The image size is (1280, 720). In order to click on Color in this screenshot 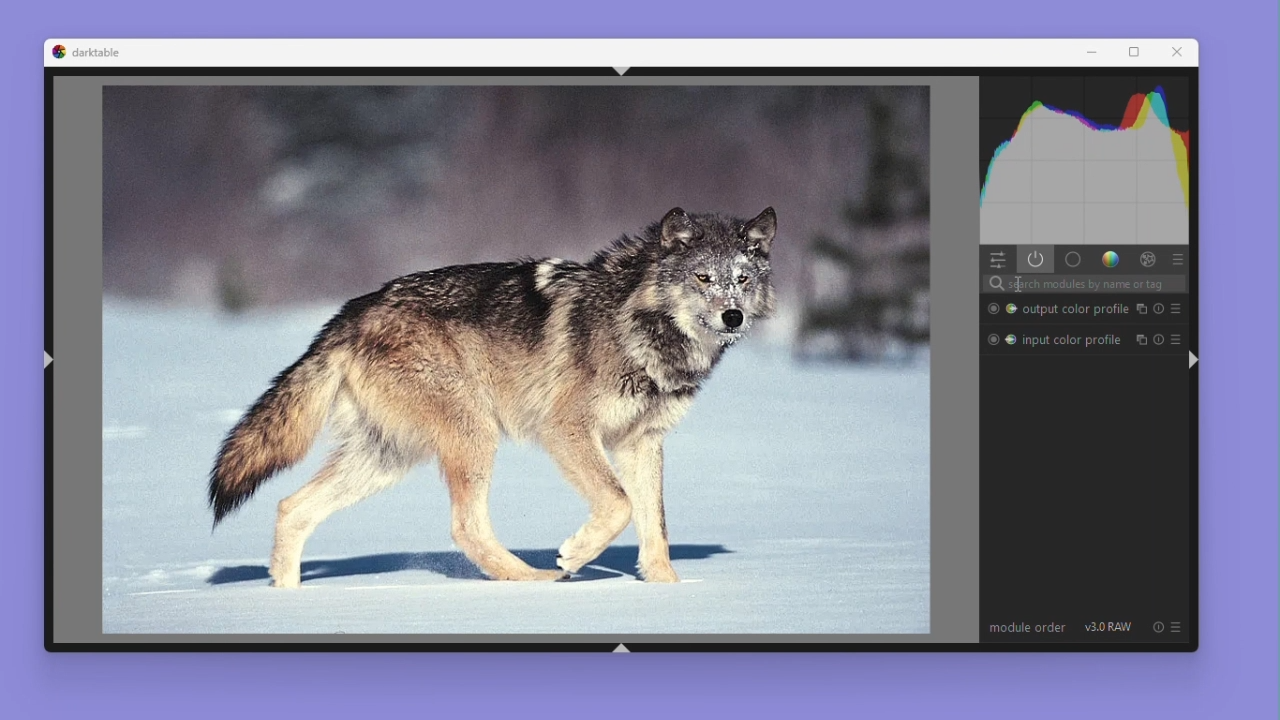, I will do `click(1110, 260)`.